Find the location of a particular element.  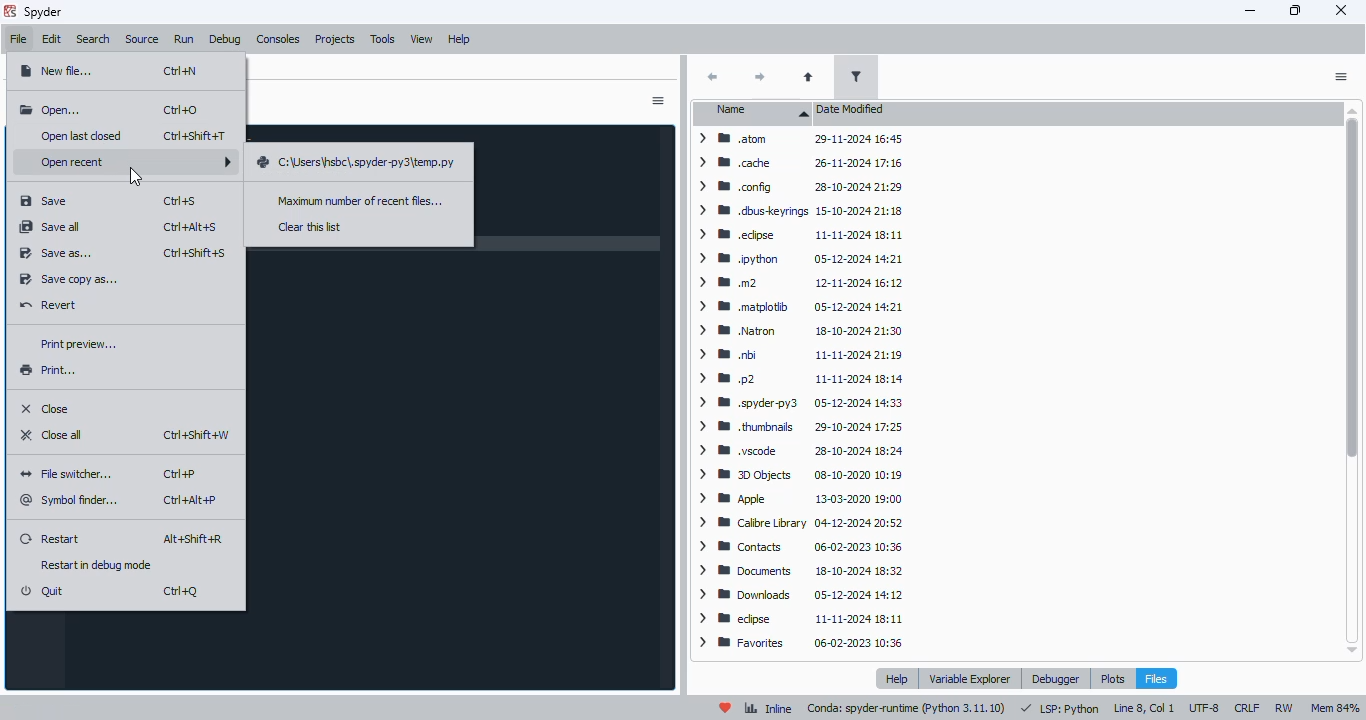

clear this list is located at coordinates (310, 227).